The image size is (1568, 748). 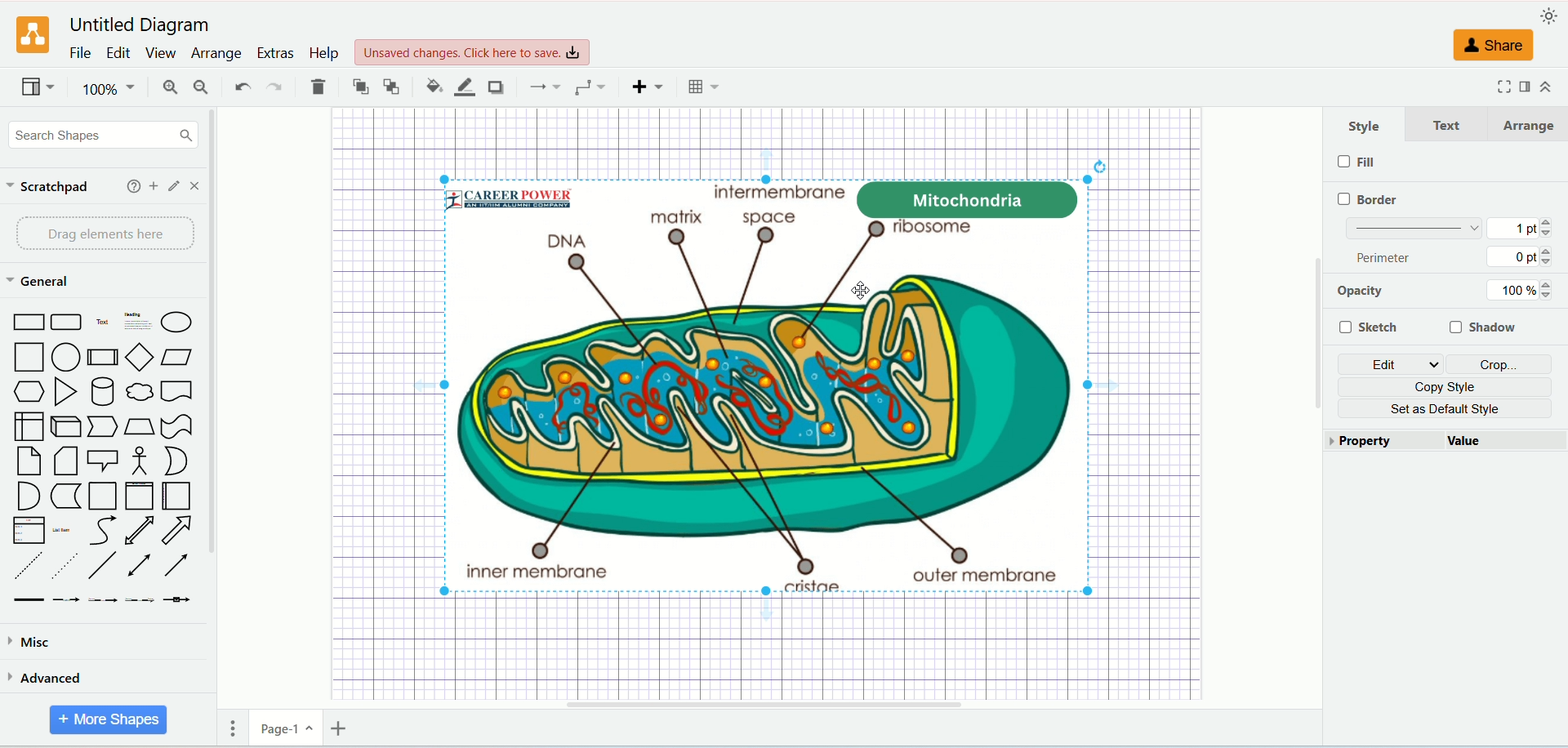 What do you see at coordinates (287, 728) in the screenshot?
I see `page-1` at bounding box center [287, 728].